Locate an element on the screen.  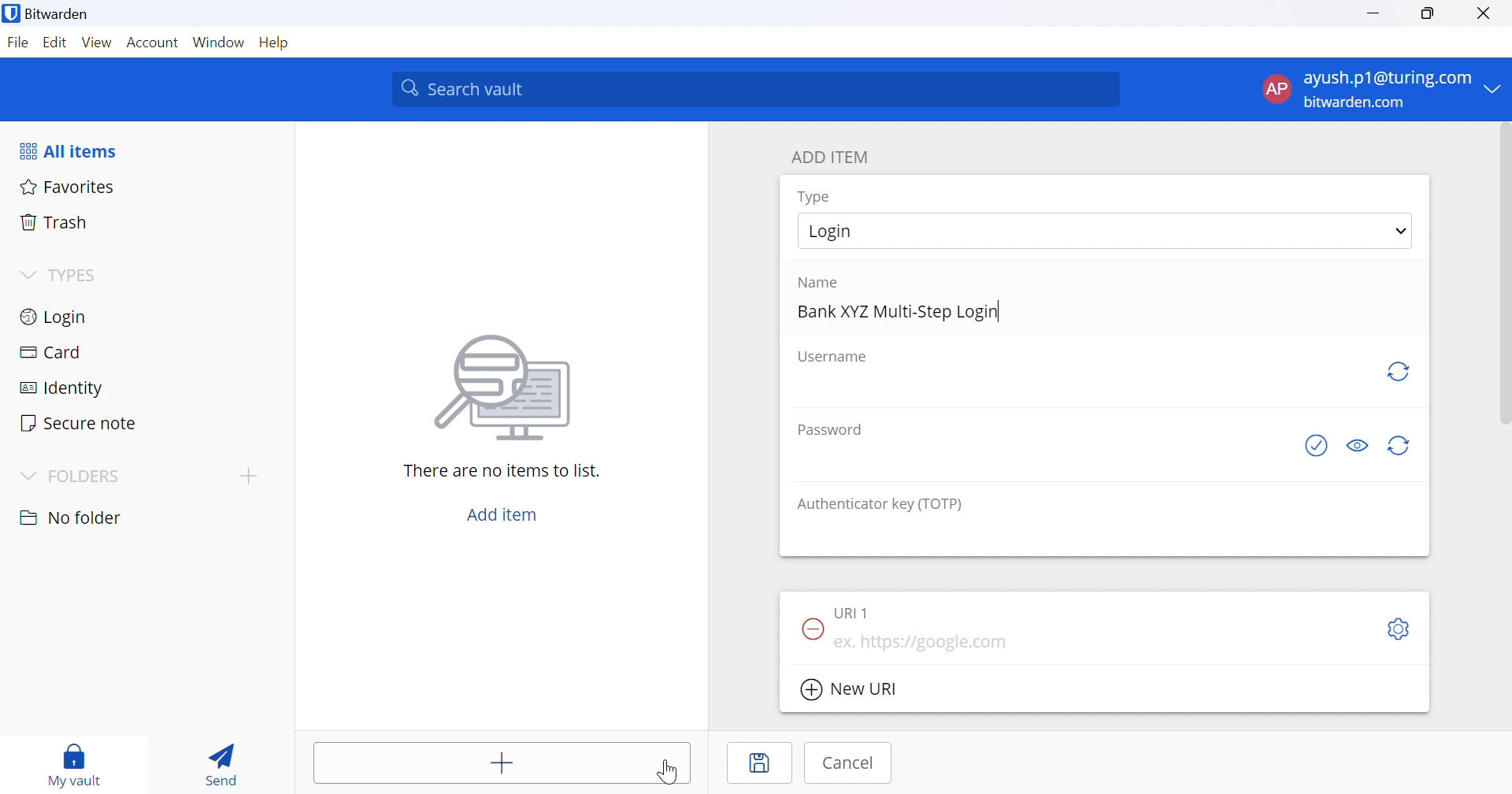
Window is located at coordinates (218, 42).